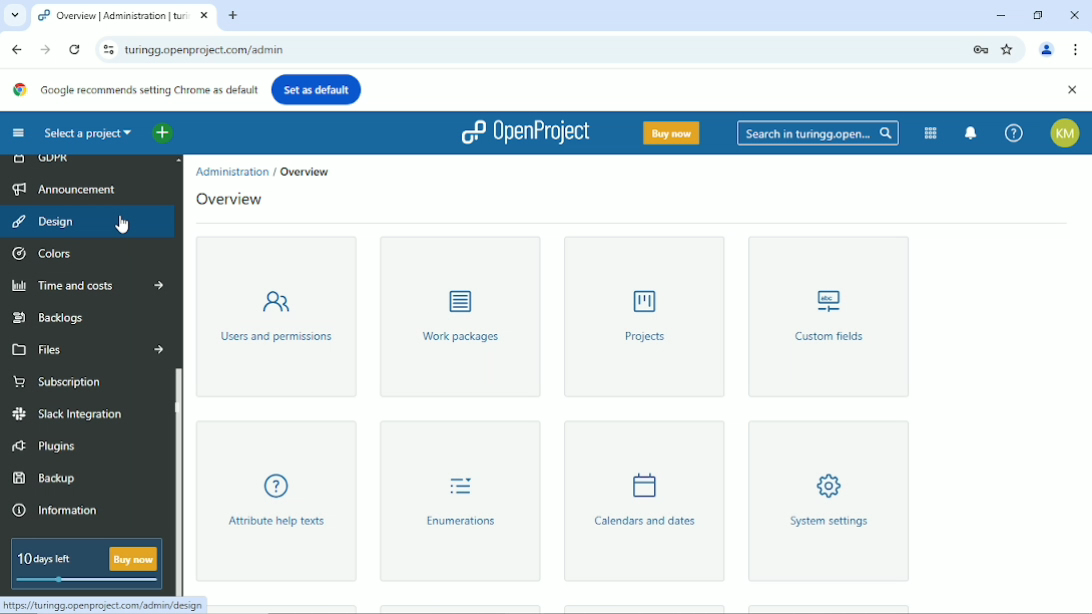  Describe the element at coordinates (1071, 90) in the screenshot. I see `Close` at that location.